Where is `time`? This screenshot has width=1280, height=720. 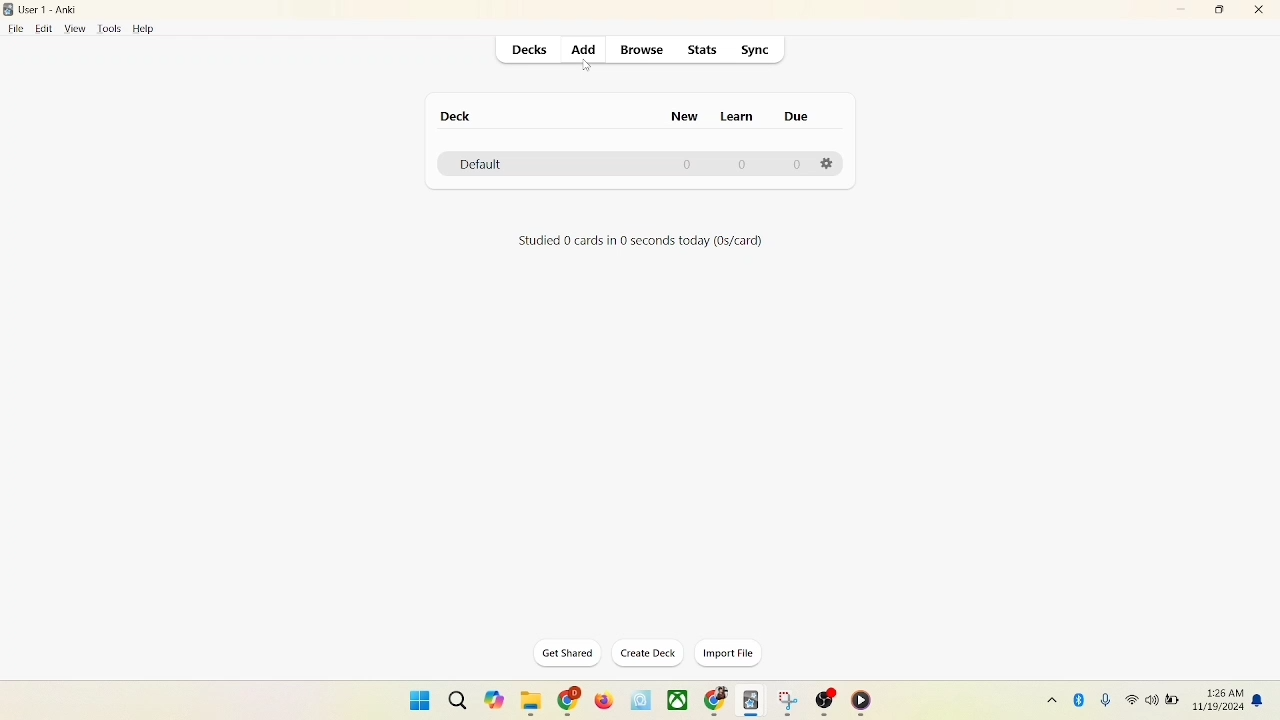 time is located at coordinates (1221, 690).